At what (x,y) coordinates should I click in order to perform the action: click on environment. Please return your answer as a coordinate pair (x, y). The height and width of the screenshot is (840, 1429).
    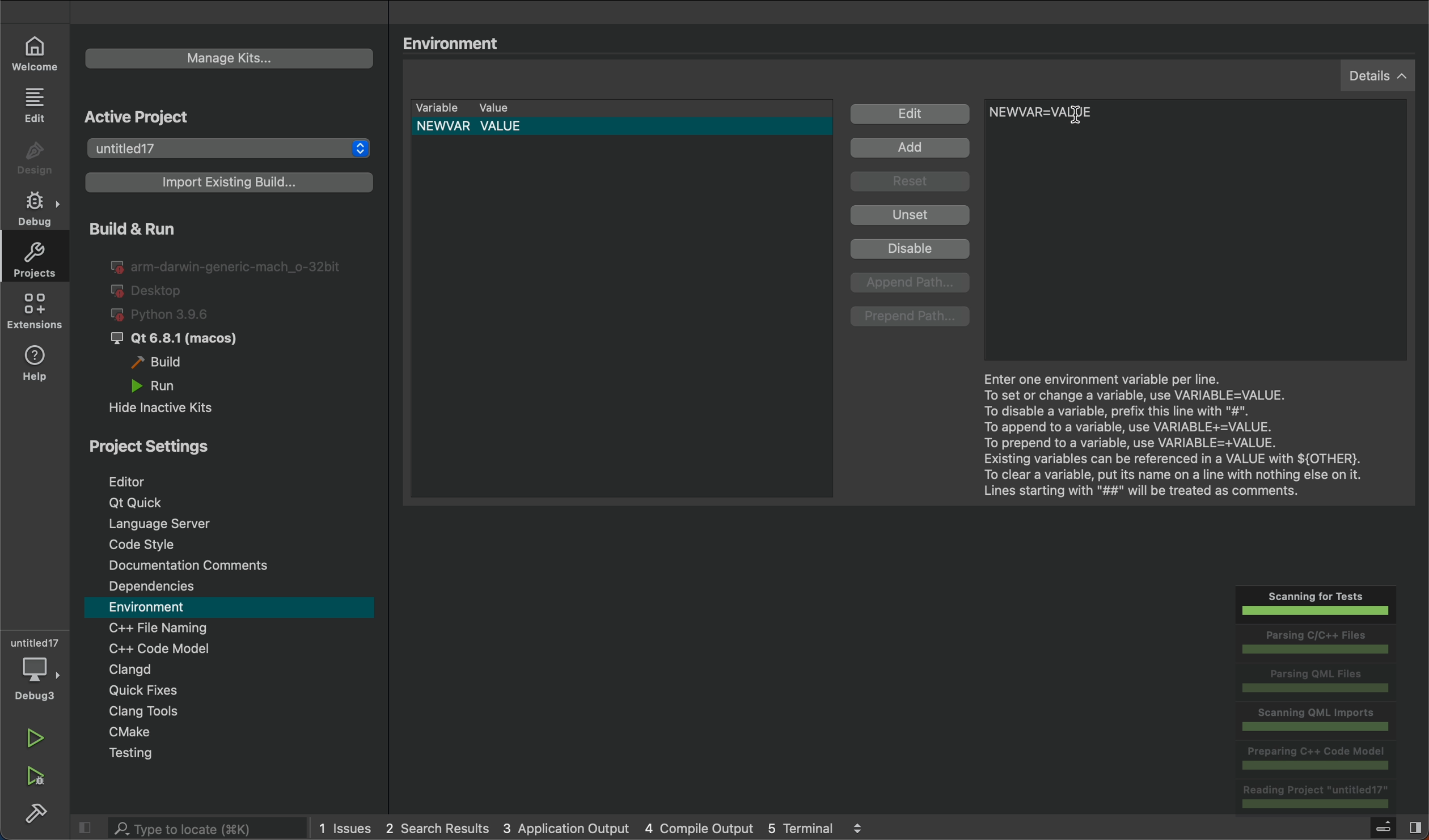
    Looking at the image, I should click on (231, 608).